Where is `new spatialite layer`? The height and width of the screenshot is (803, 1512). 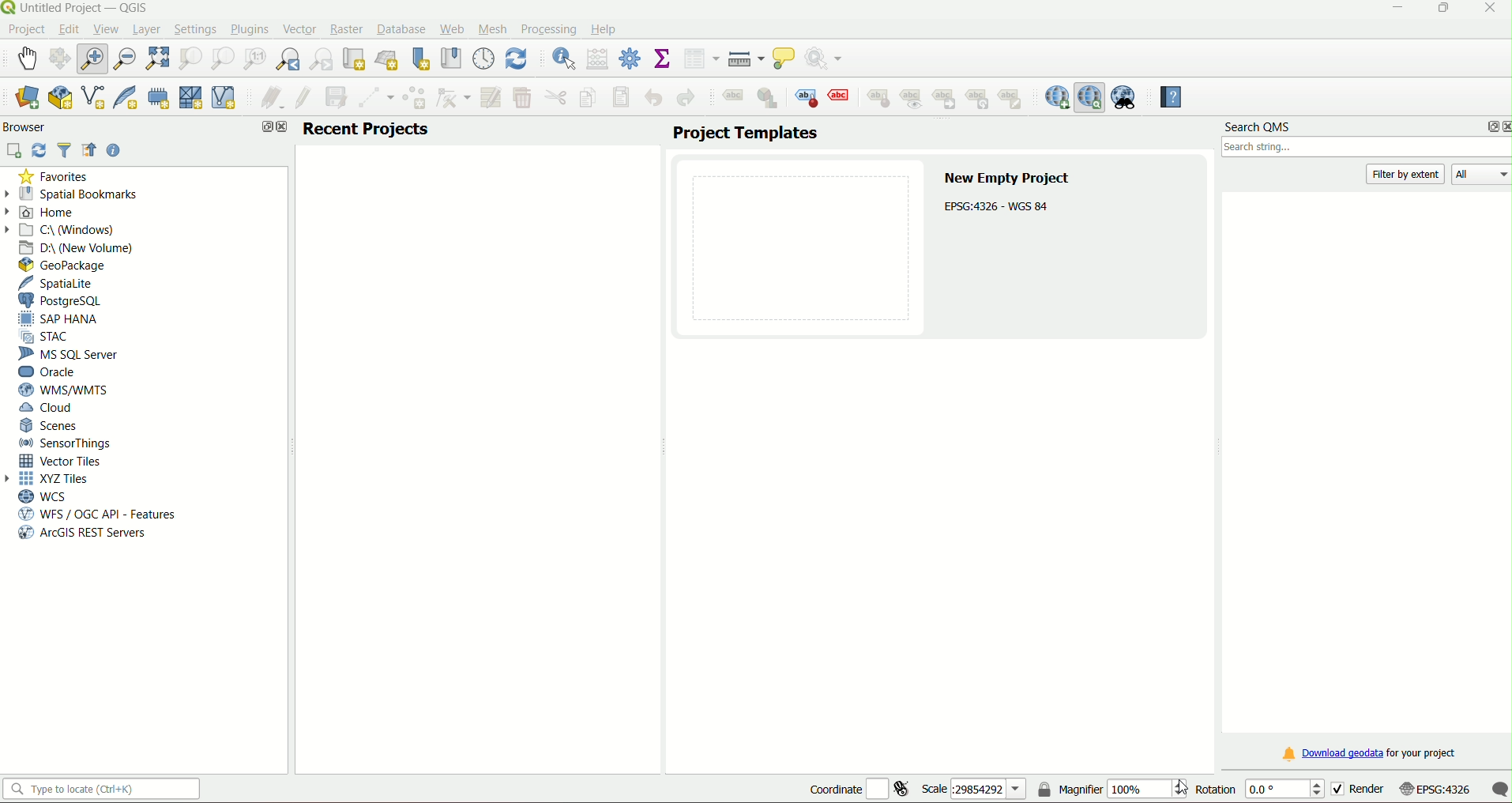
new spatialite layer is located at coordinates (123, 98).